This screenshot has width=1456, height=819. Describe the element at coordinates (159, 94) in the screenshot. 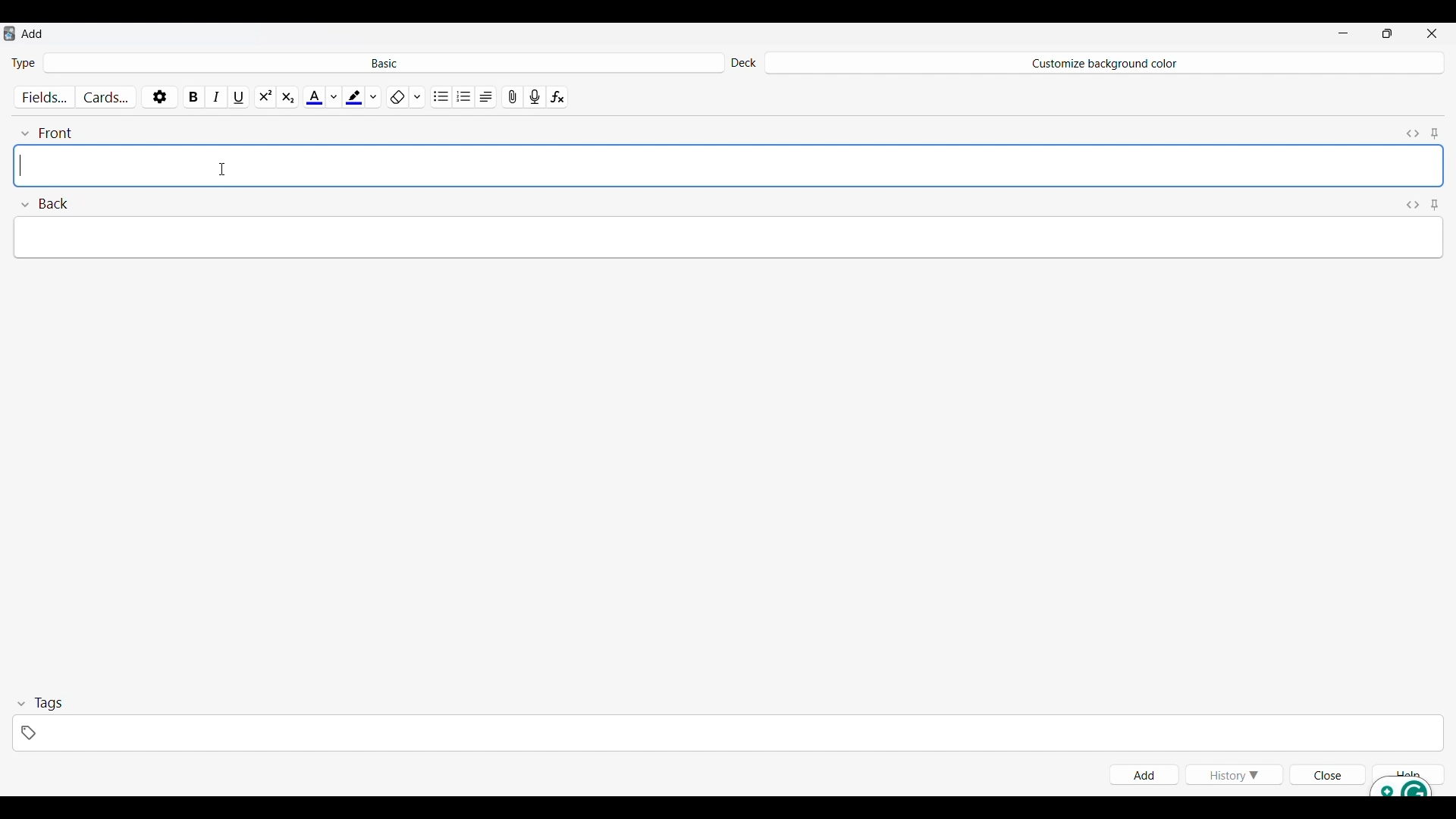

I see `Options` at that location.